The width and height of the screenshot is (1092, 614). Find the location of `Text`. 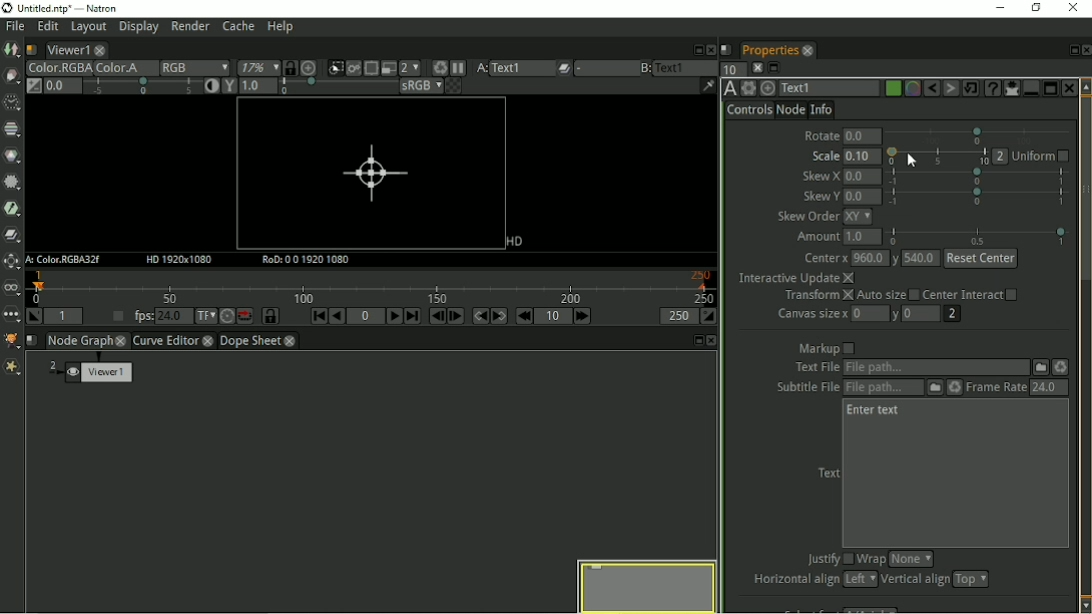

Text is located at coordinates (827, 473).